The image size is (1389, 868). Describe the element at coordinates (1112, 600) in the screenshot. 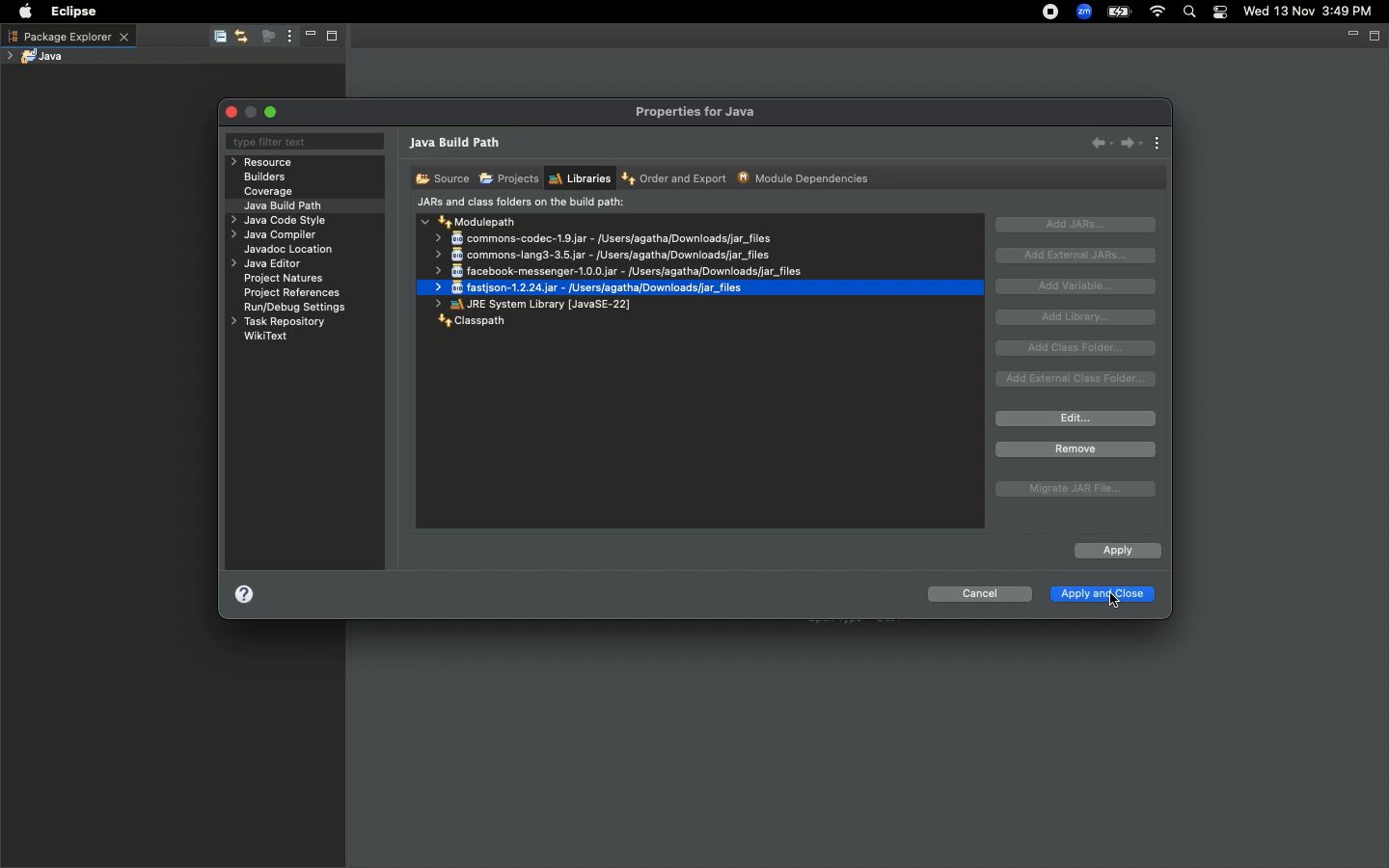

I see `Pointer Cursor` at that location.